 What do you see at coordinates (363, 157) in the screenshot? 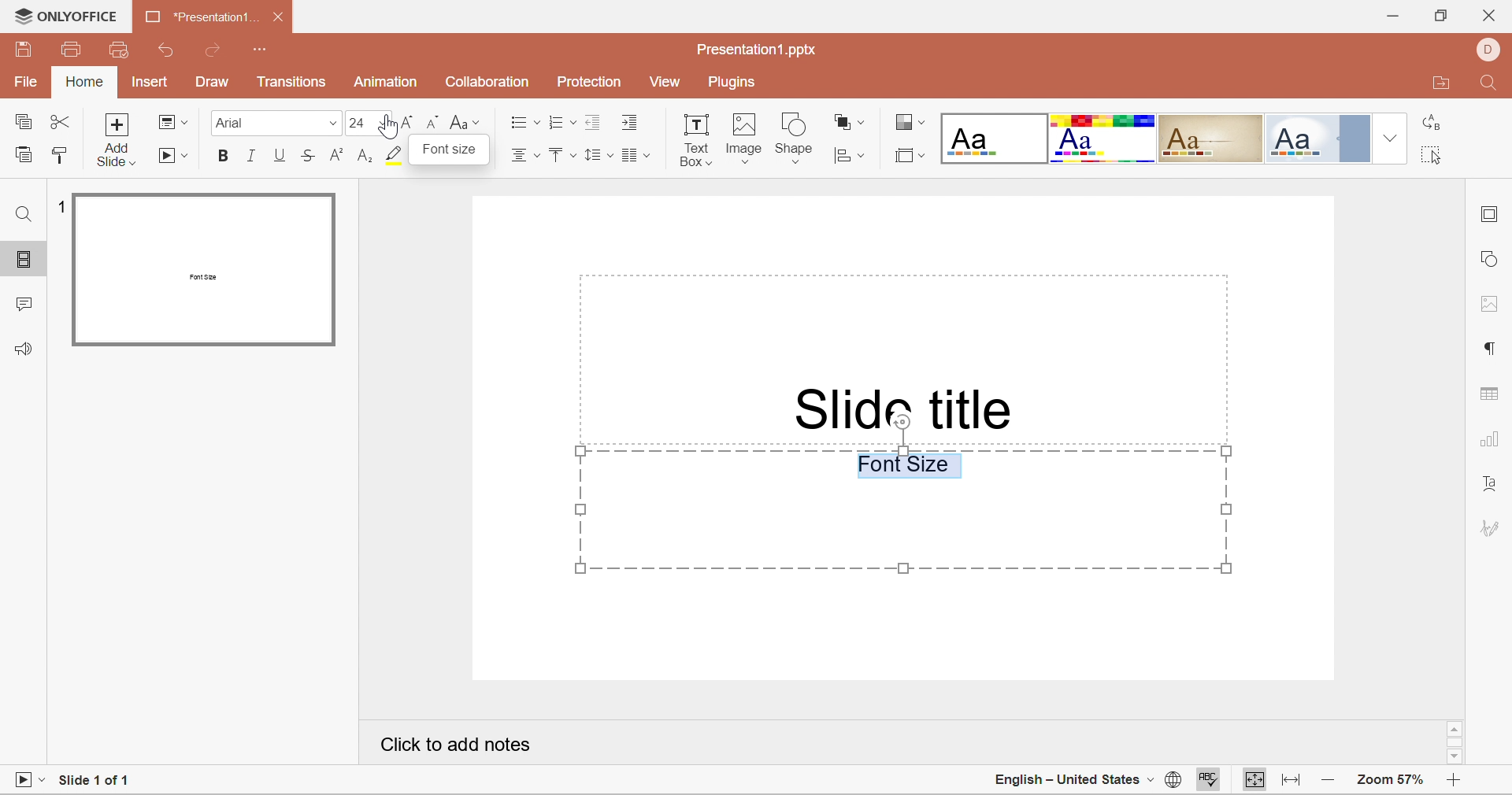
I see `Subscript` at bounding box center [363, 157].